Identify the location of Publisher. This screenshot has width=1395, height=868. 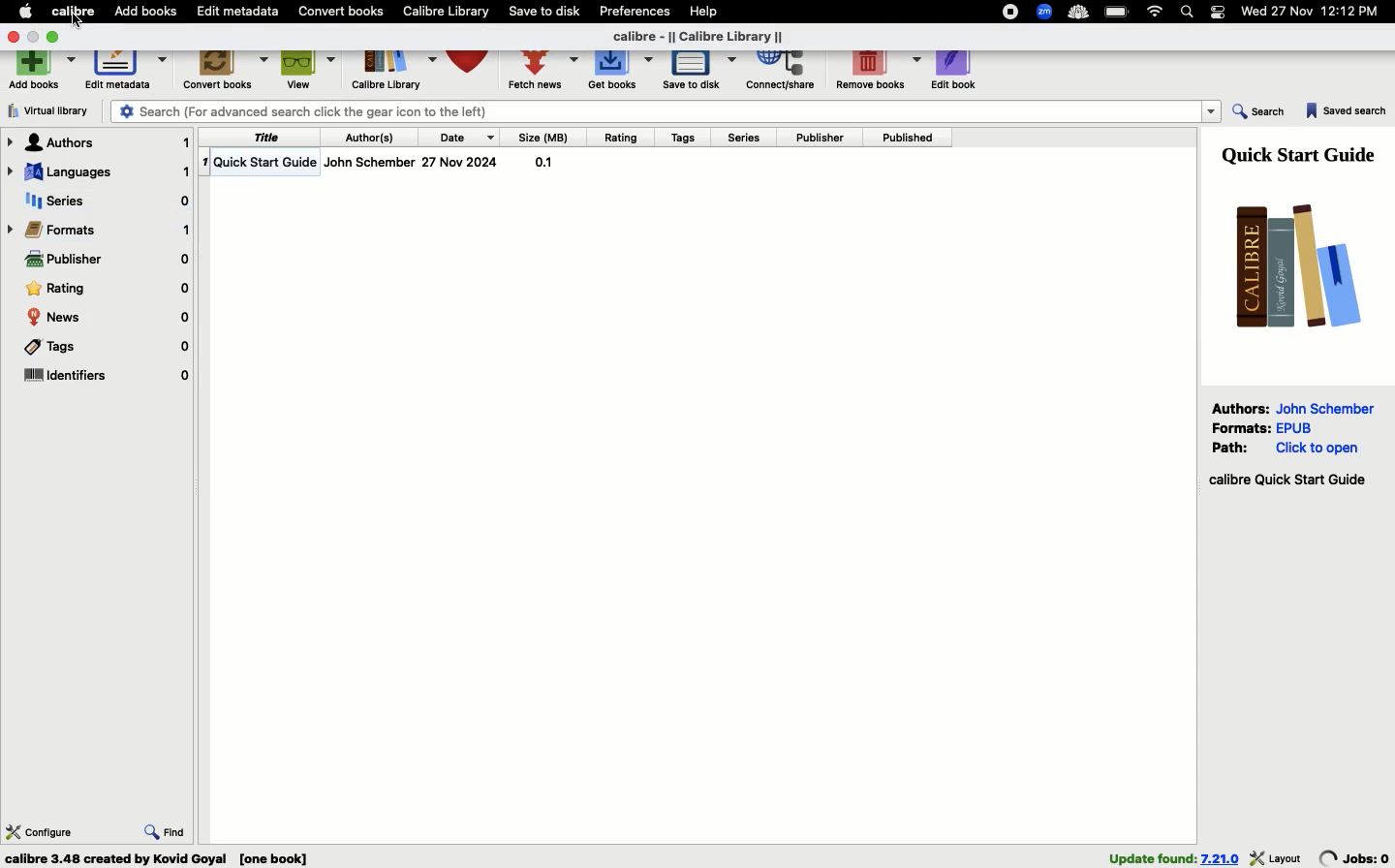
(107, 262).